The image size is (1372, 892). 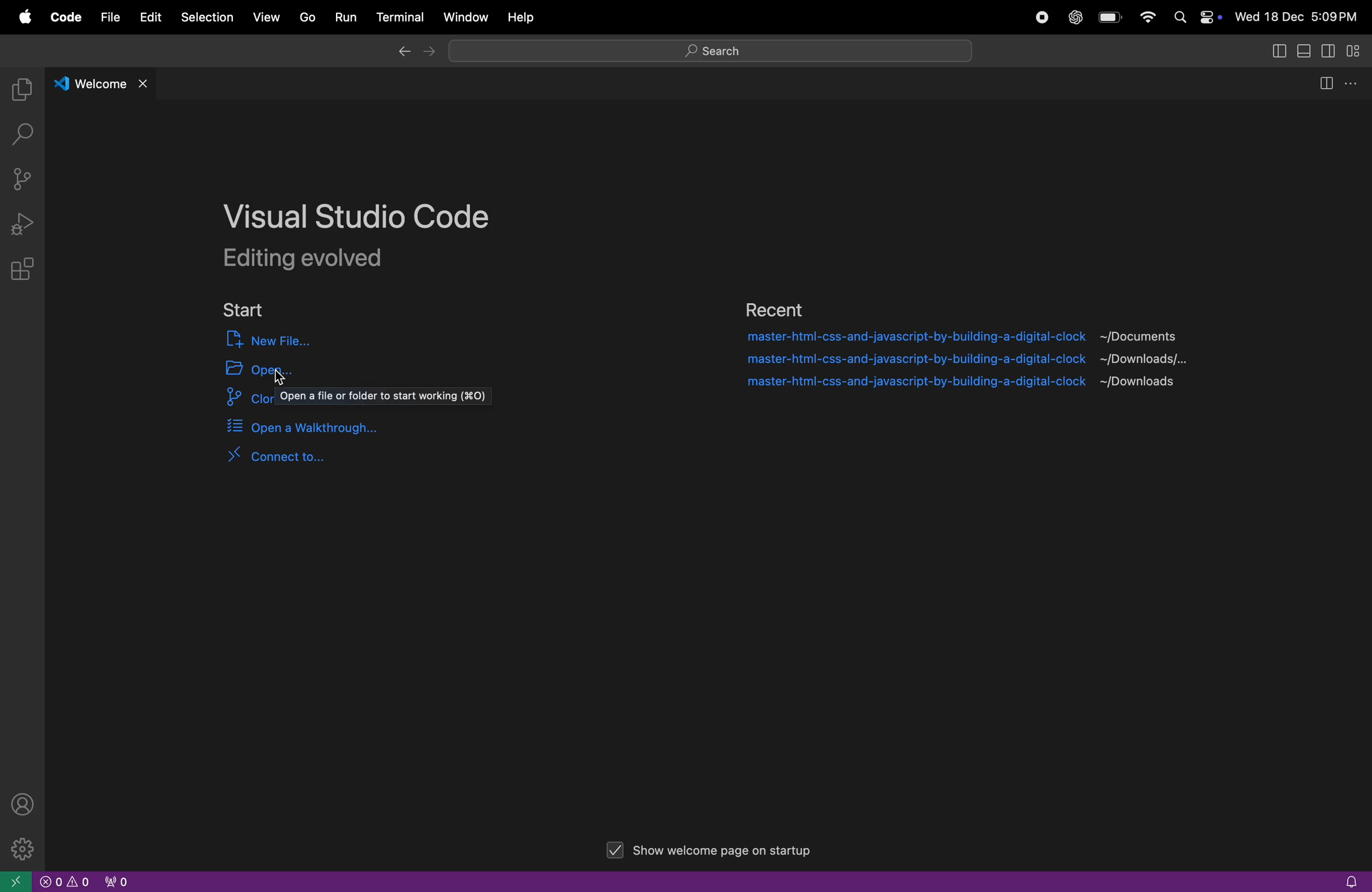 What do you see at coordinates (25, 270) in the screenshot?
I see `extensions` at bounding box center [25, 270].